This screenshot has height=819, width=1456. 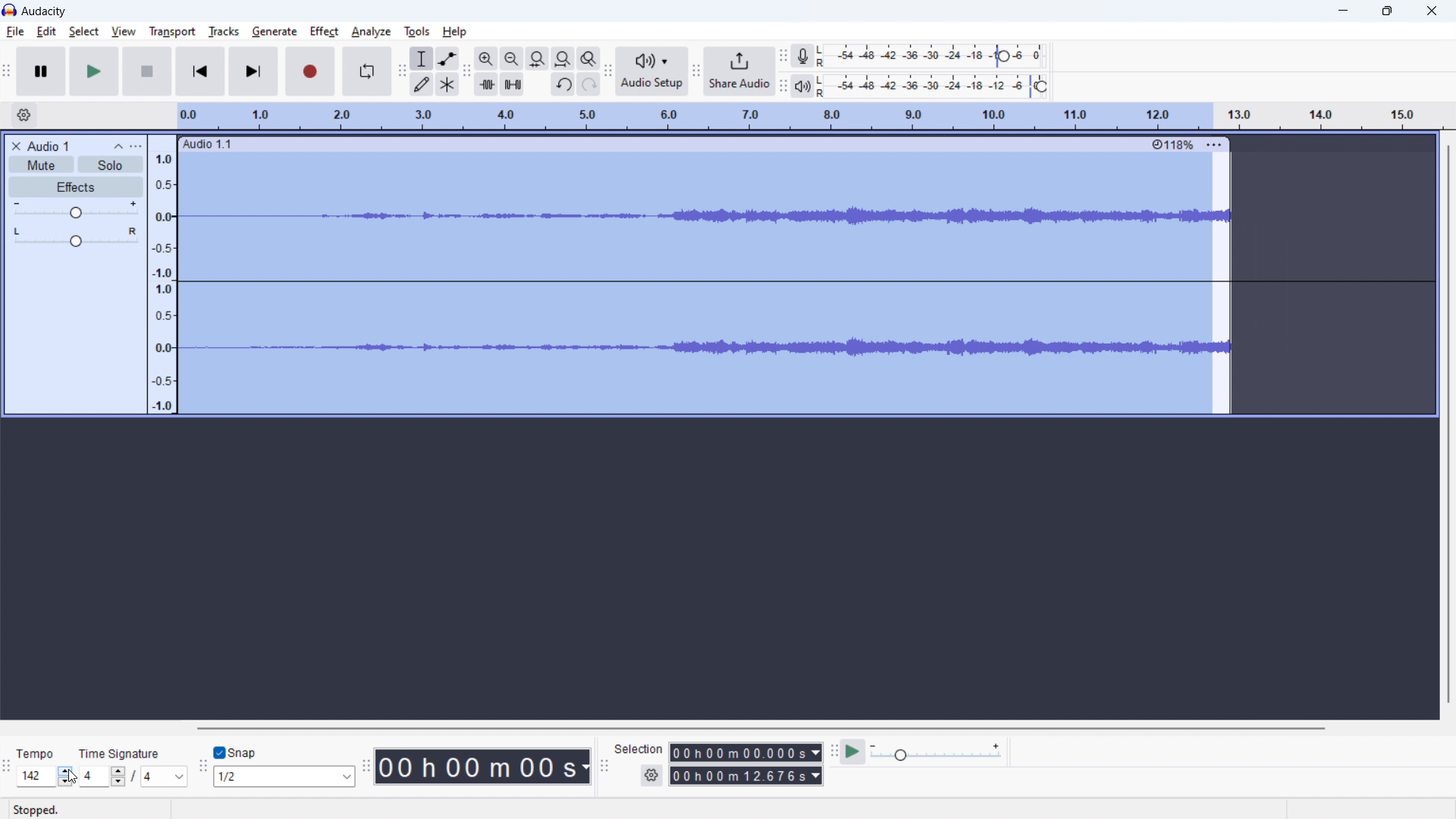 I want to click on view menu, so click(x=136, y=146).